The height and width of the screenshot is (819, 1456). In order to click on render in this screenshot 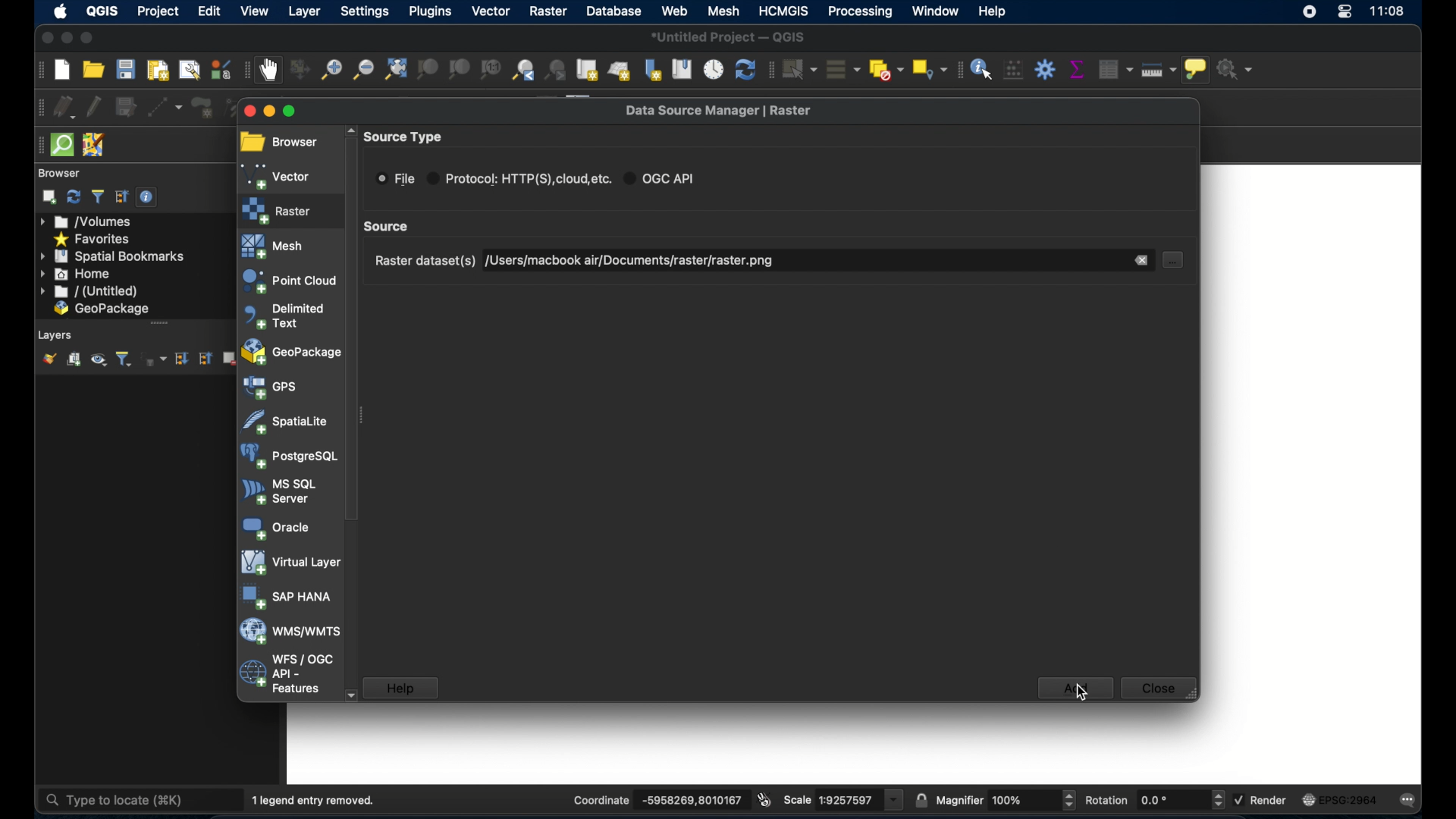, I will do `click(1272, 801)`.